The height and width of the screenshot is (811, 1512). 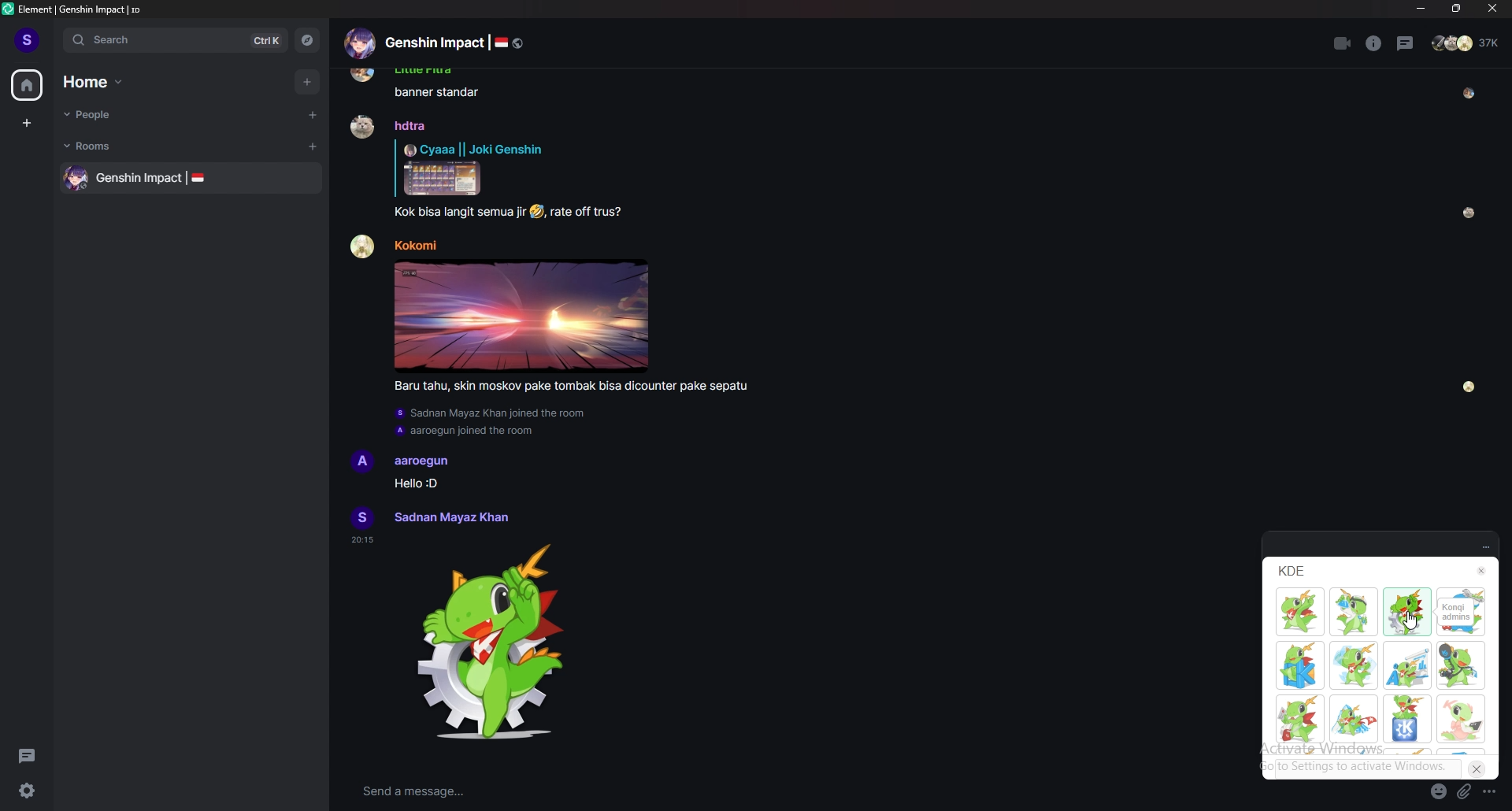 What do you see at coordinates (1422, 9) in the screenshot?
I see `minimize` at bounding box center [1422, 9].